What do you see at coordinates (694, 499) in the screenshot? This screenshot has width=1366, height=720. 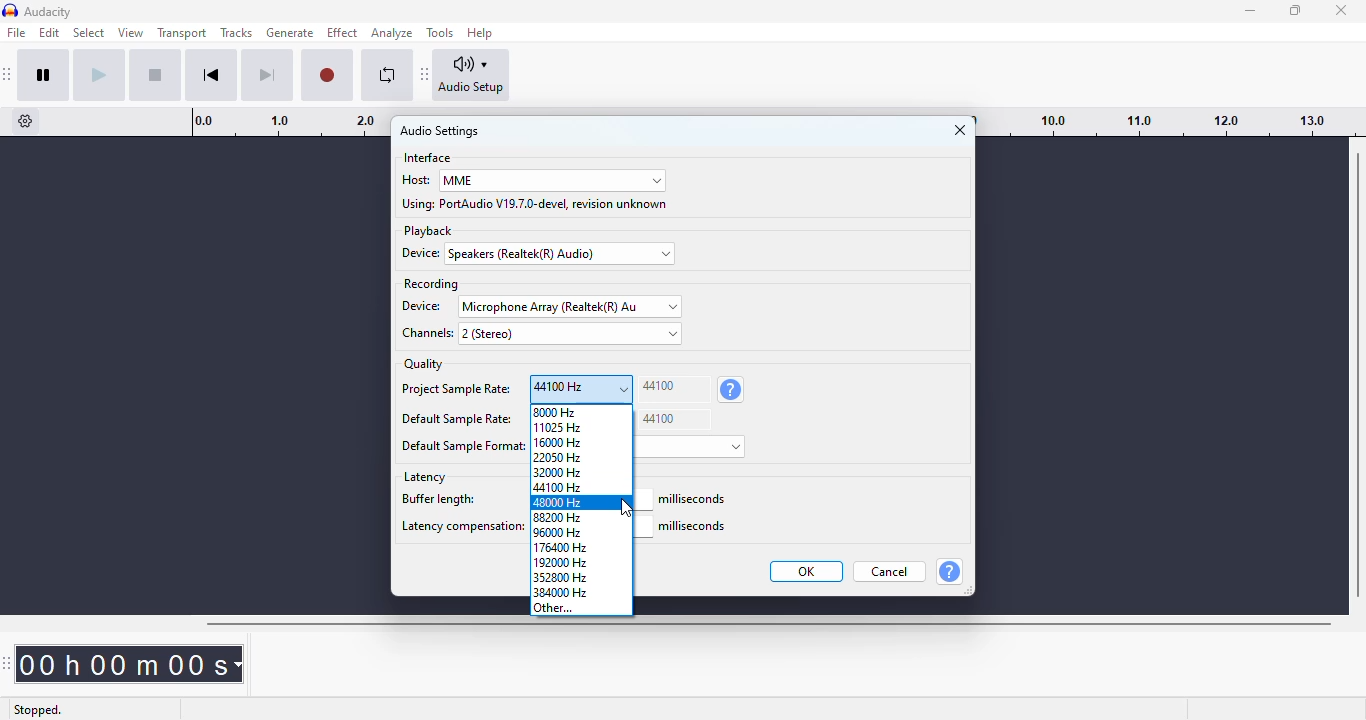 I see `miliseconds` at bounding box center [694, 499].